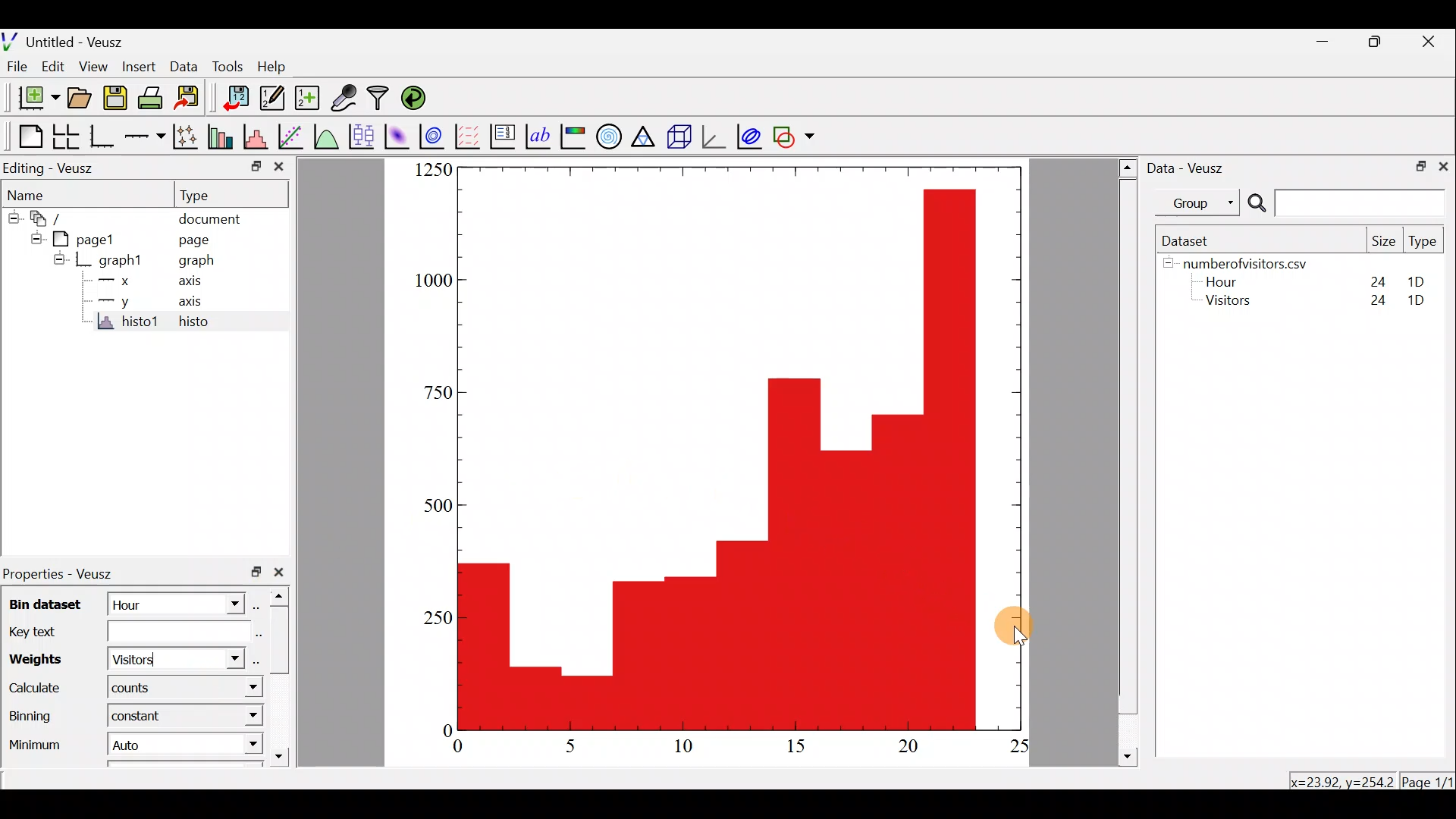  What do you see at coordinates (231, 97) in the screenshot?
I see `import data into Veusz` at bounding box center [231, 97].